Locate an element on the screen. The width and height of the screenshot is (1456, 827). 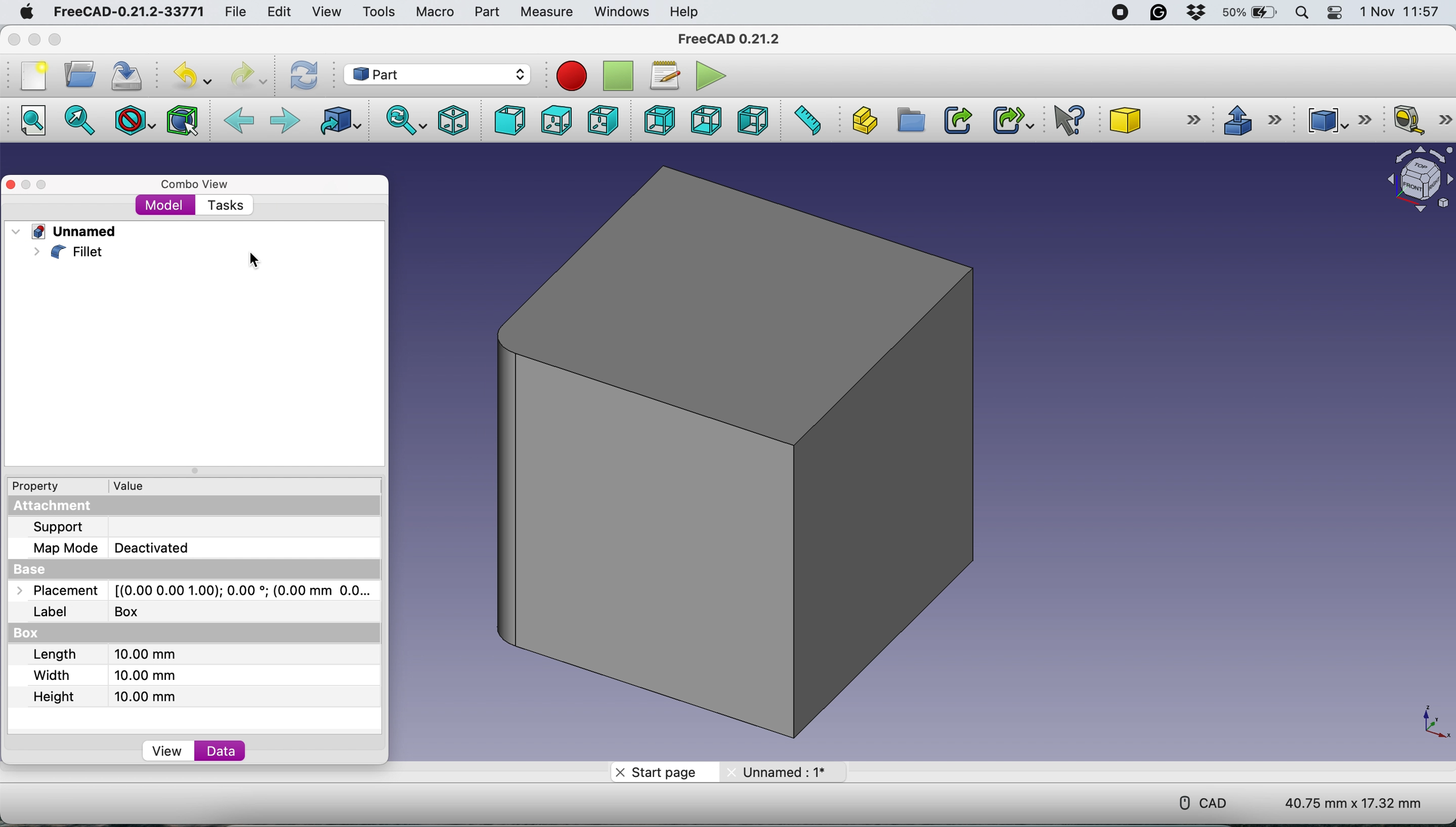
forward is located at coordinates (284, 122).